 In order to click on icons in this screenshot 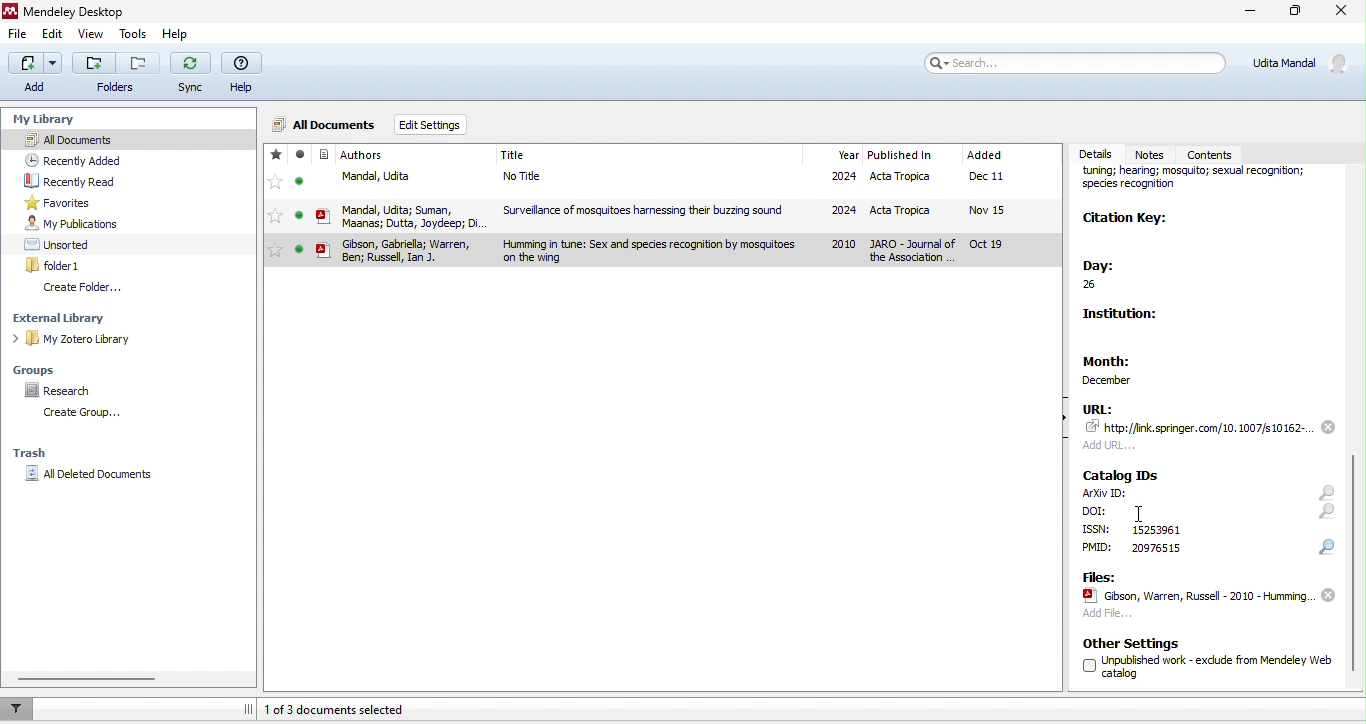, I will do `click(1327, 520)`.